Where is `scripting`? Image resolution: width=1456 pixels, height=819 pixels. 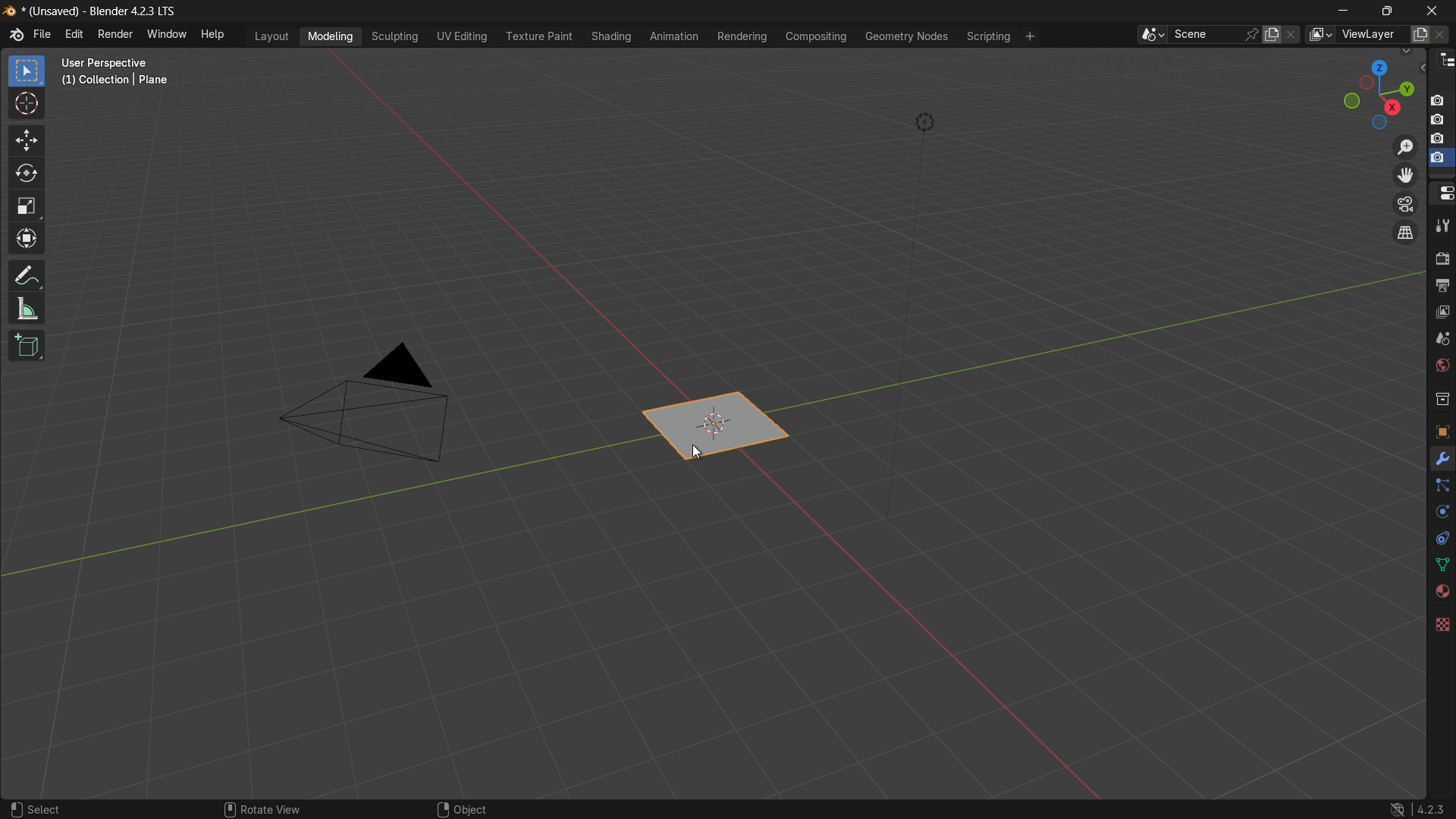
scripting is located at coordinates (986, 37).